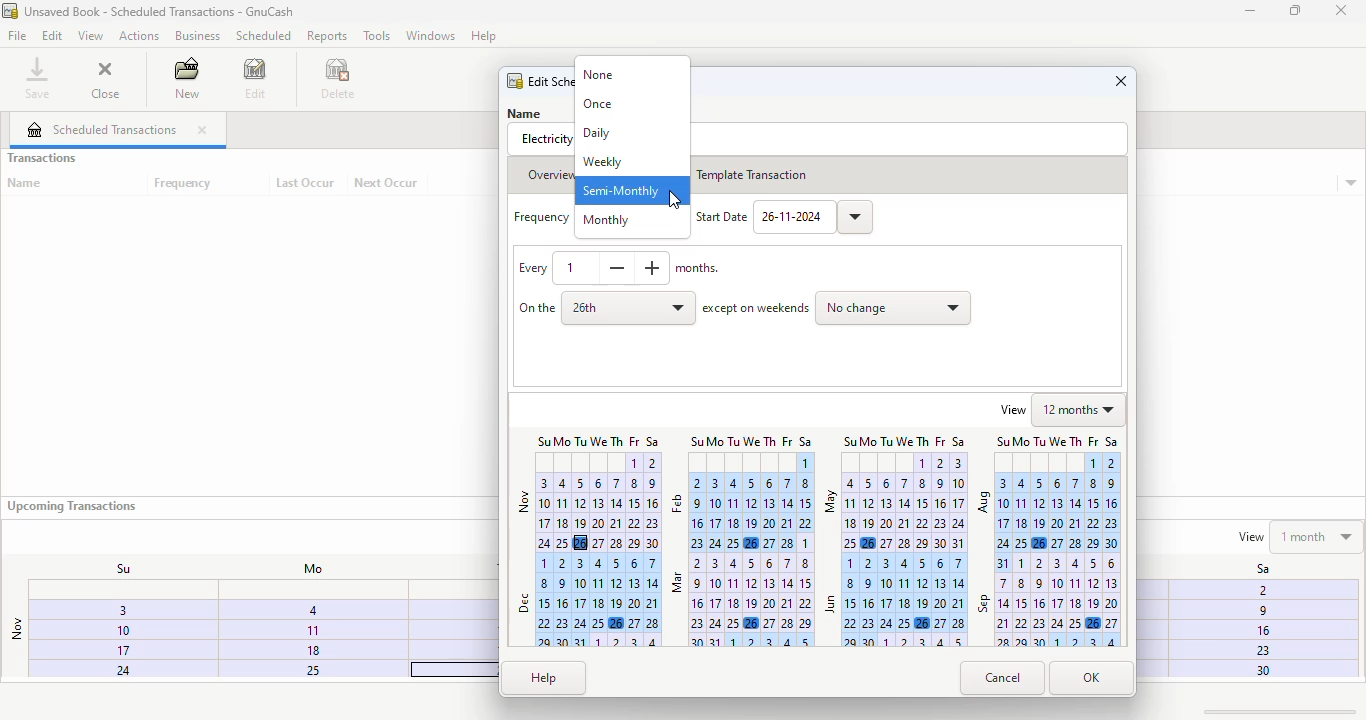  I want to click on Help, so click(487, 35).